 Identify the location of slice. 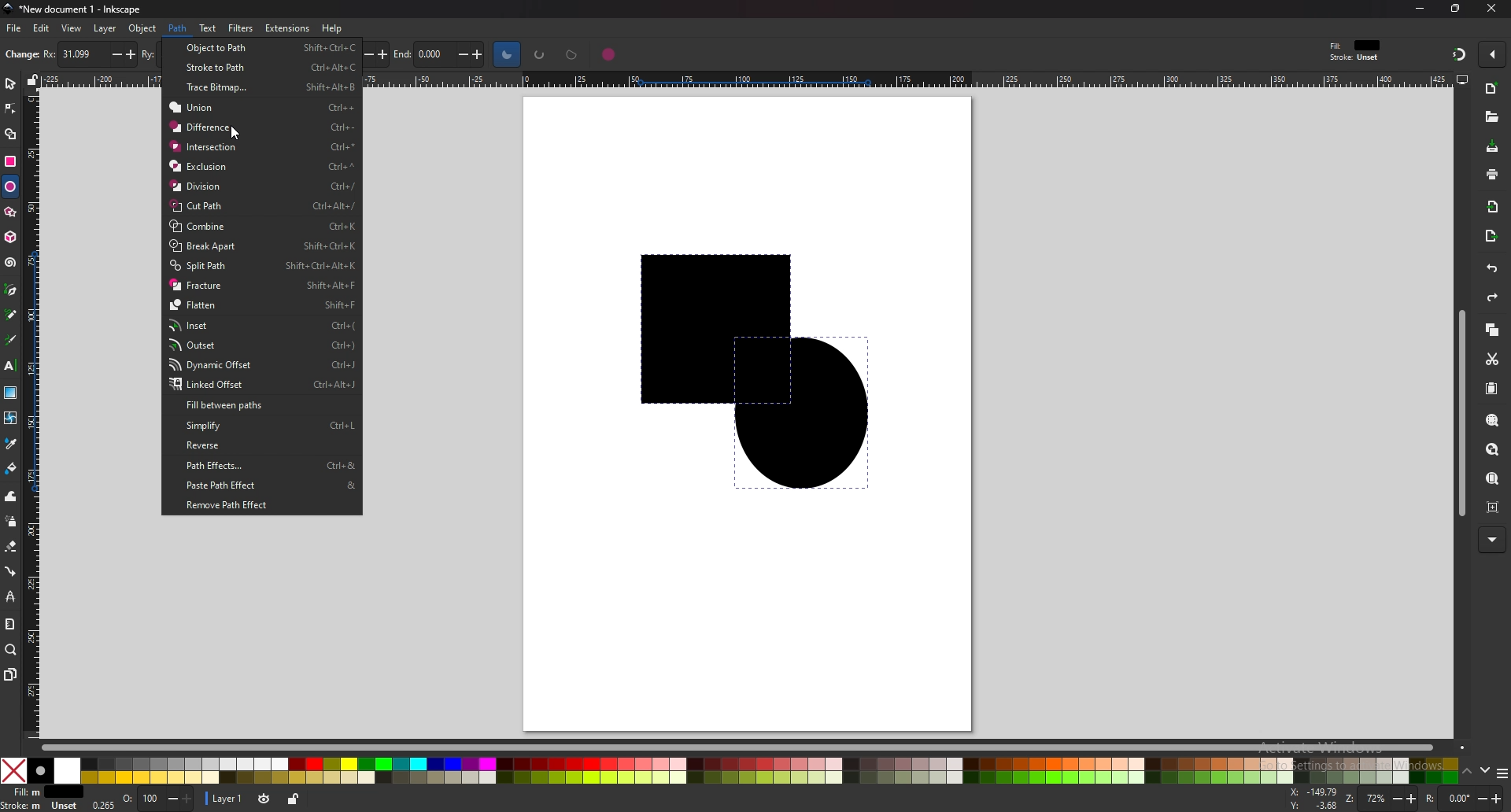
(507, 54).